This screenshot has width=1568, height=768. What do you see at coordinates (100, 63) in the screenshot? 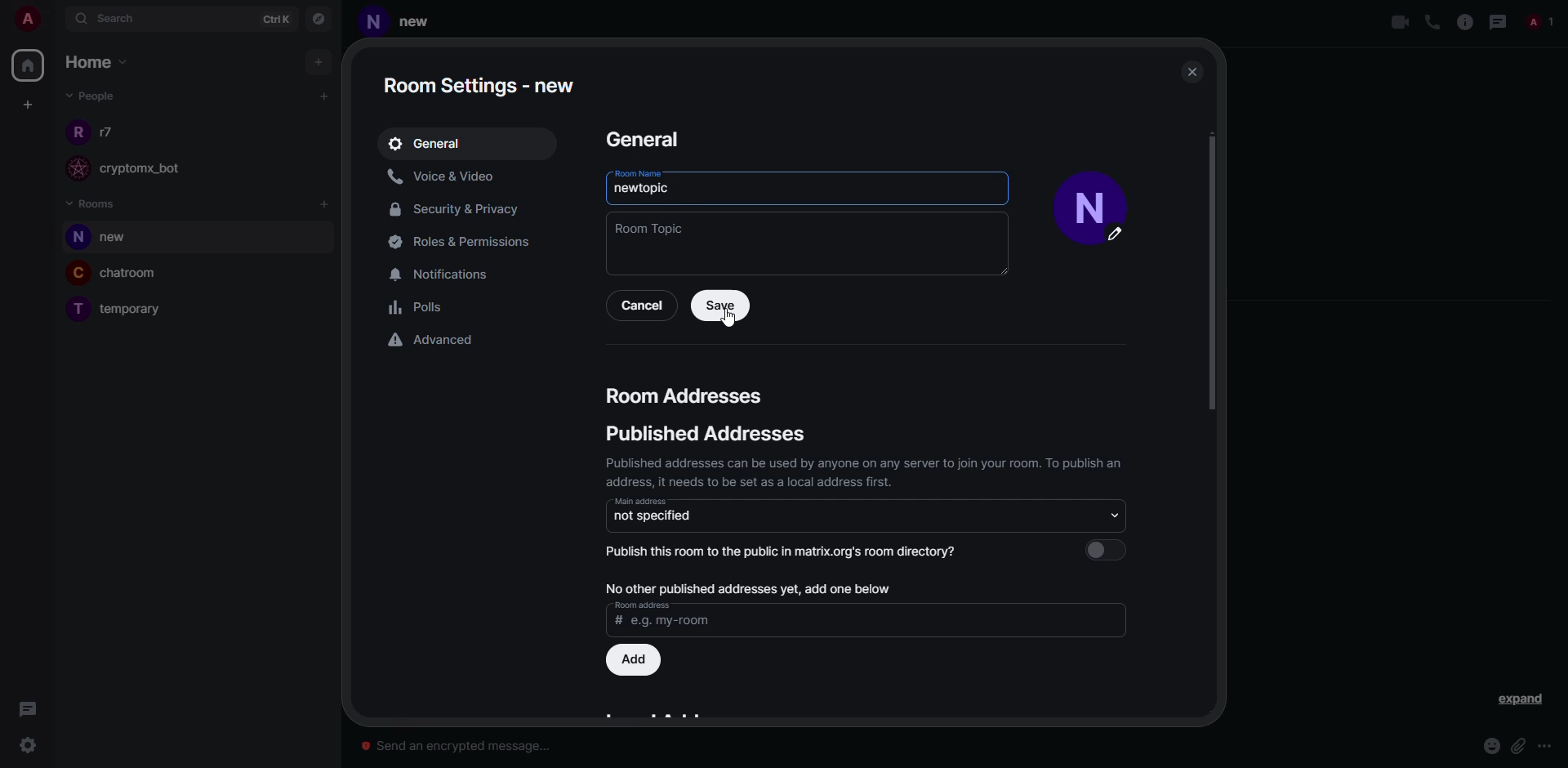
I see `home` at bounding box center [100, 63].